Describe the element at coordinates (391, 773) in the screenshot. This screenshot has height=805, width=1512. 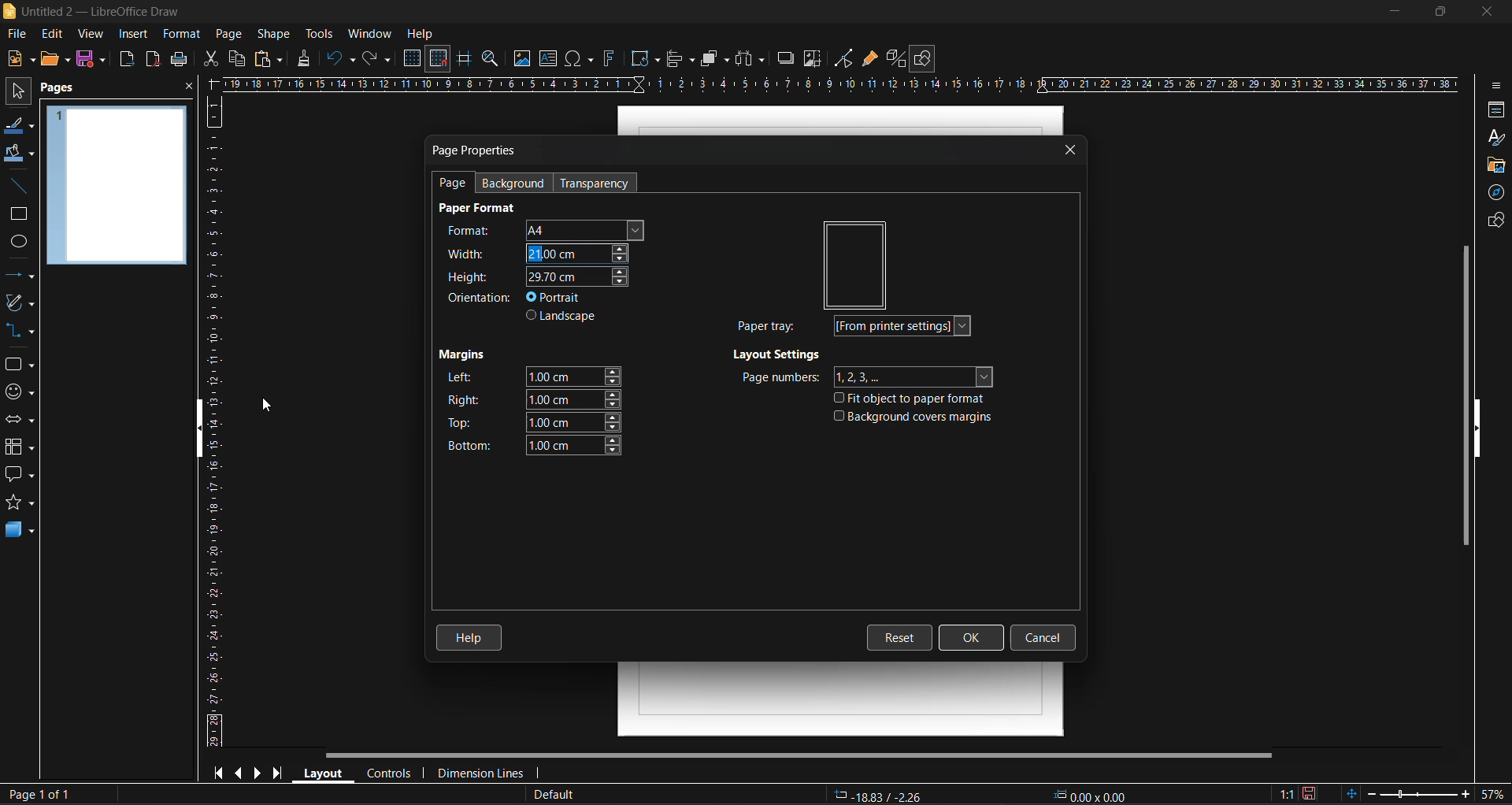
I see `controls` at that location.